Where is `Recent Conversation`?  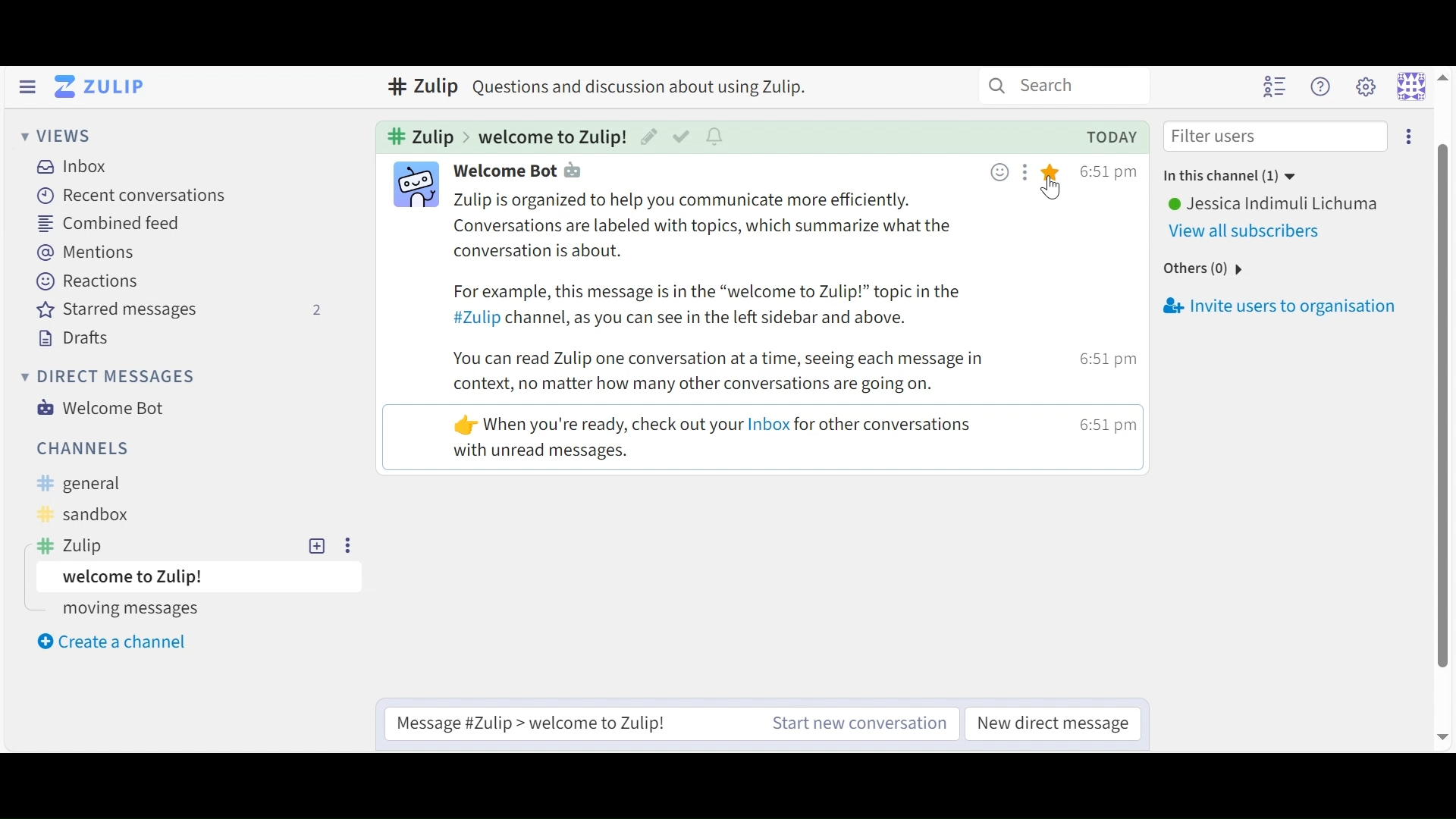 Recent Conversation is located at coordinates (187, 194).